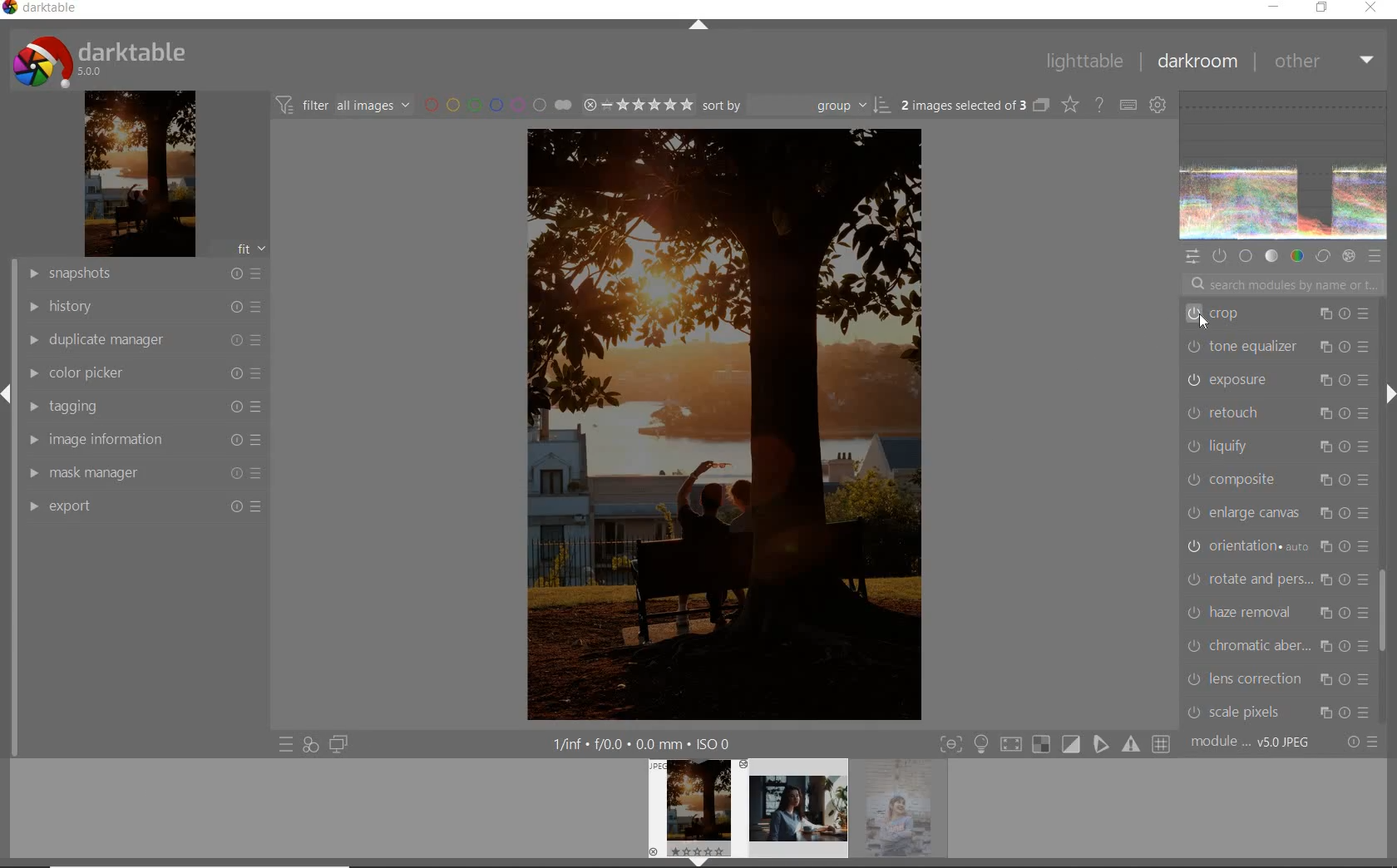 The width and height of the screenshot is (1397, 868). What do you see at coordinates (1069, 104) in the screenshot?
I see `change type of overlay` at bounding box center [1069, 104].